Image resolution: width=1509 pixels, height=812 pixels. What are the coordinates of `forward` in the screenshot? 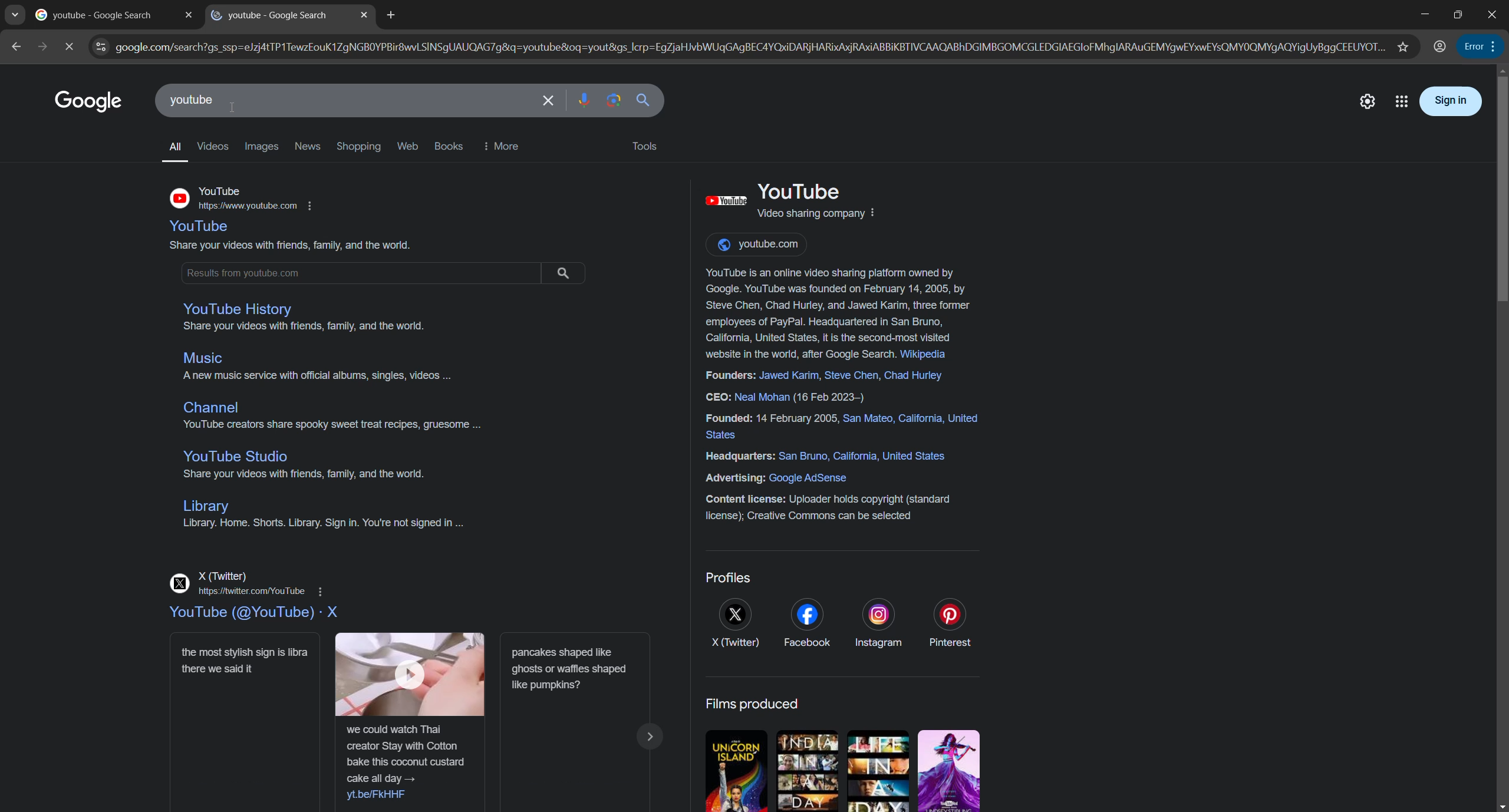 It's located at (39, 46).